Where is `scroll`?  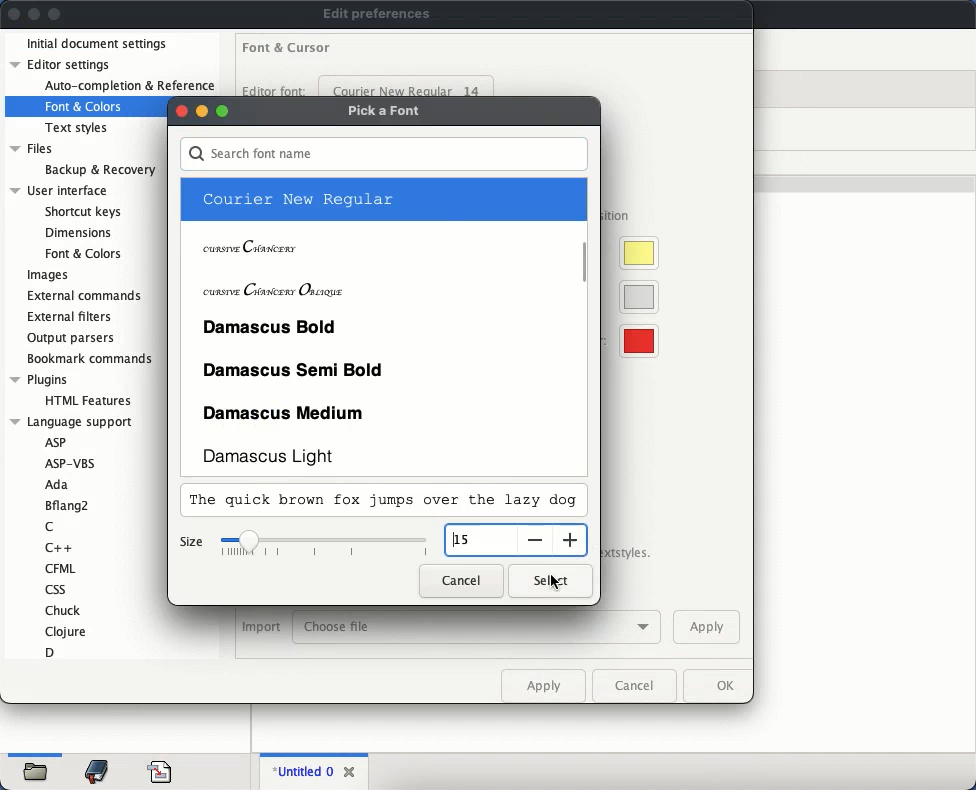
scroll is located at coordinates (587, 260).